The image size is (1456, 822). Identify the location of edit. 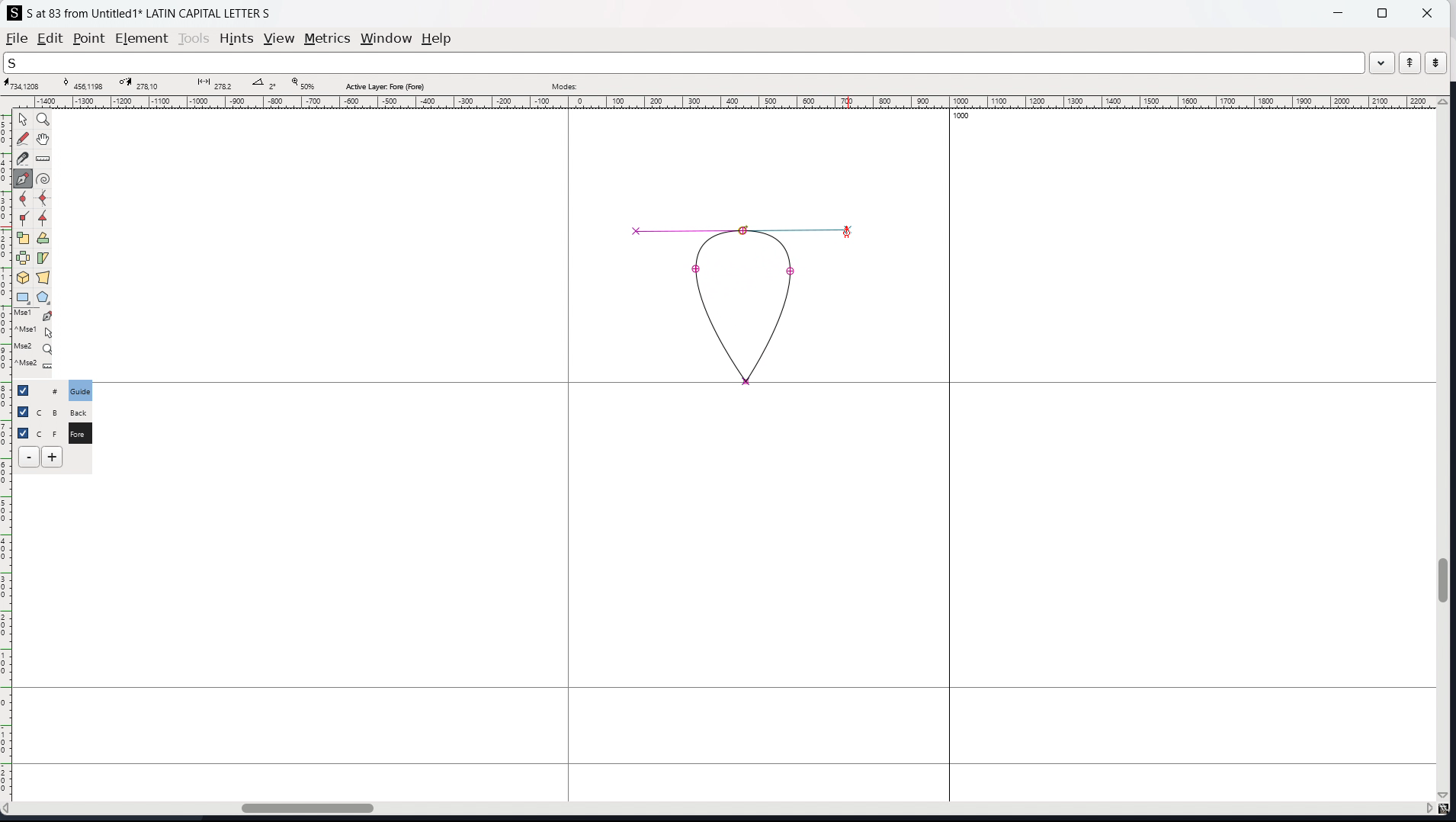
(50, 38).